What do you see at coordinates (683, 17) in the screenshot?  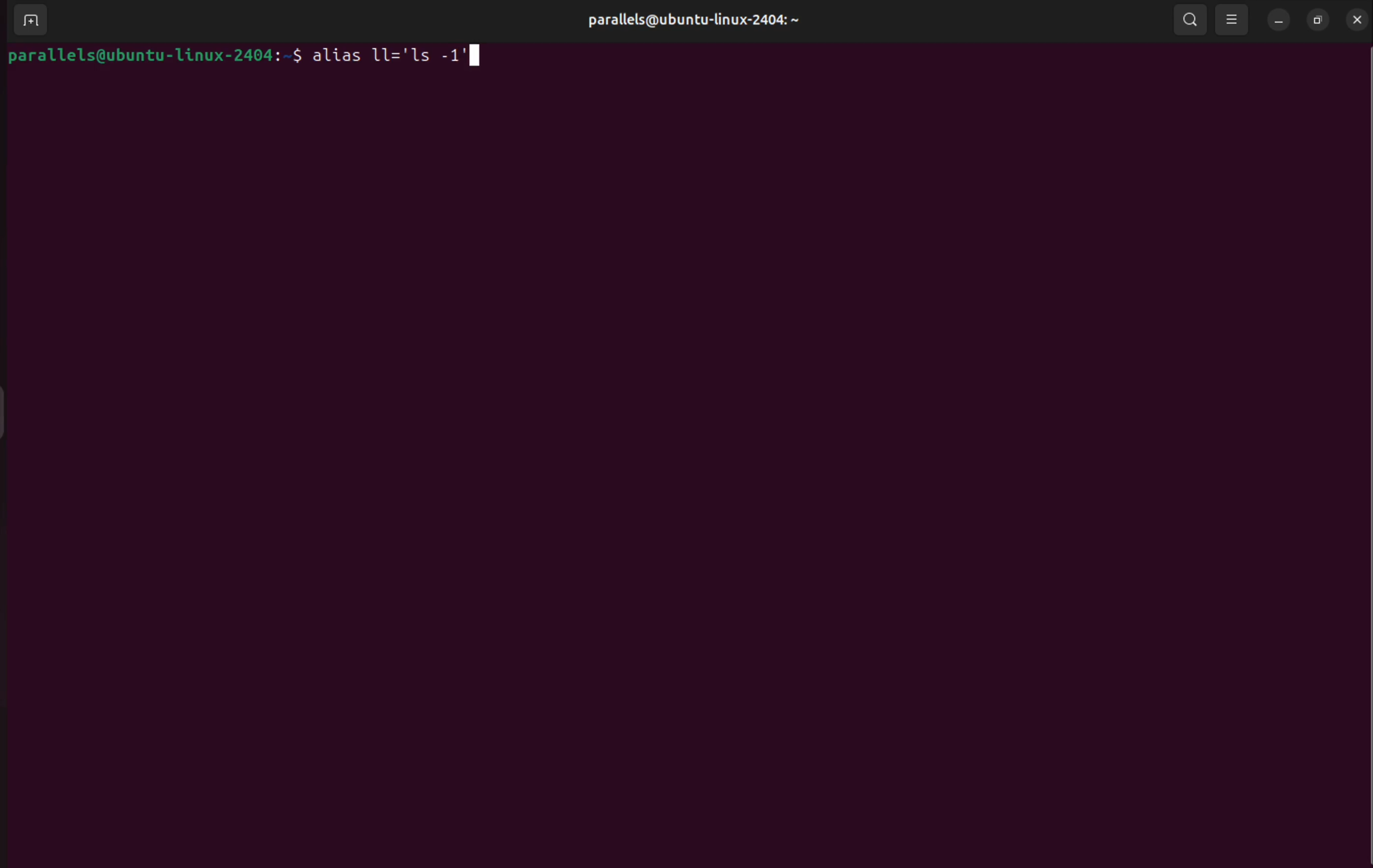 I see `parallels` at bounding box center [683, 17].